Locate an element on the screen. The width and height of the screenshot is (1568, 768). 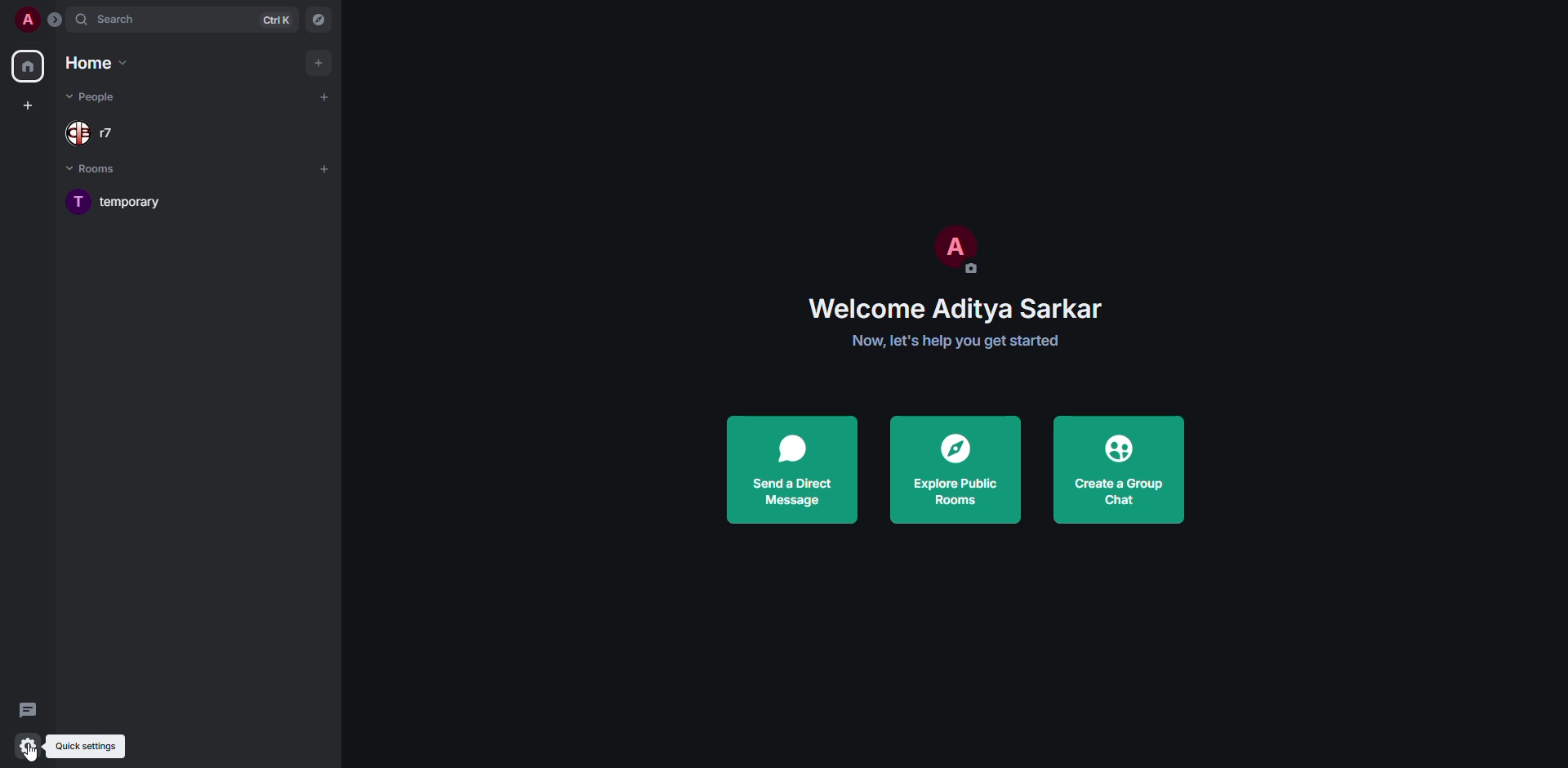
people is located at coordinates (100, 132).